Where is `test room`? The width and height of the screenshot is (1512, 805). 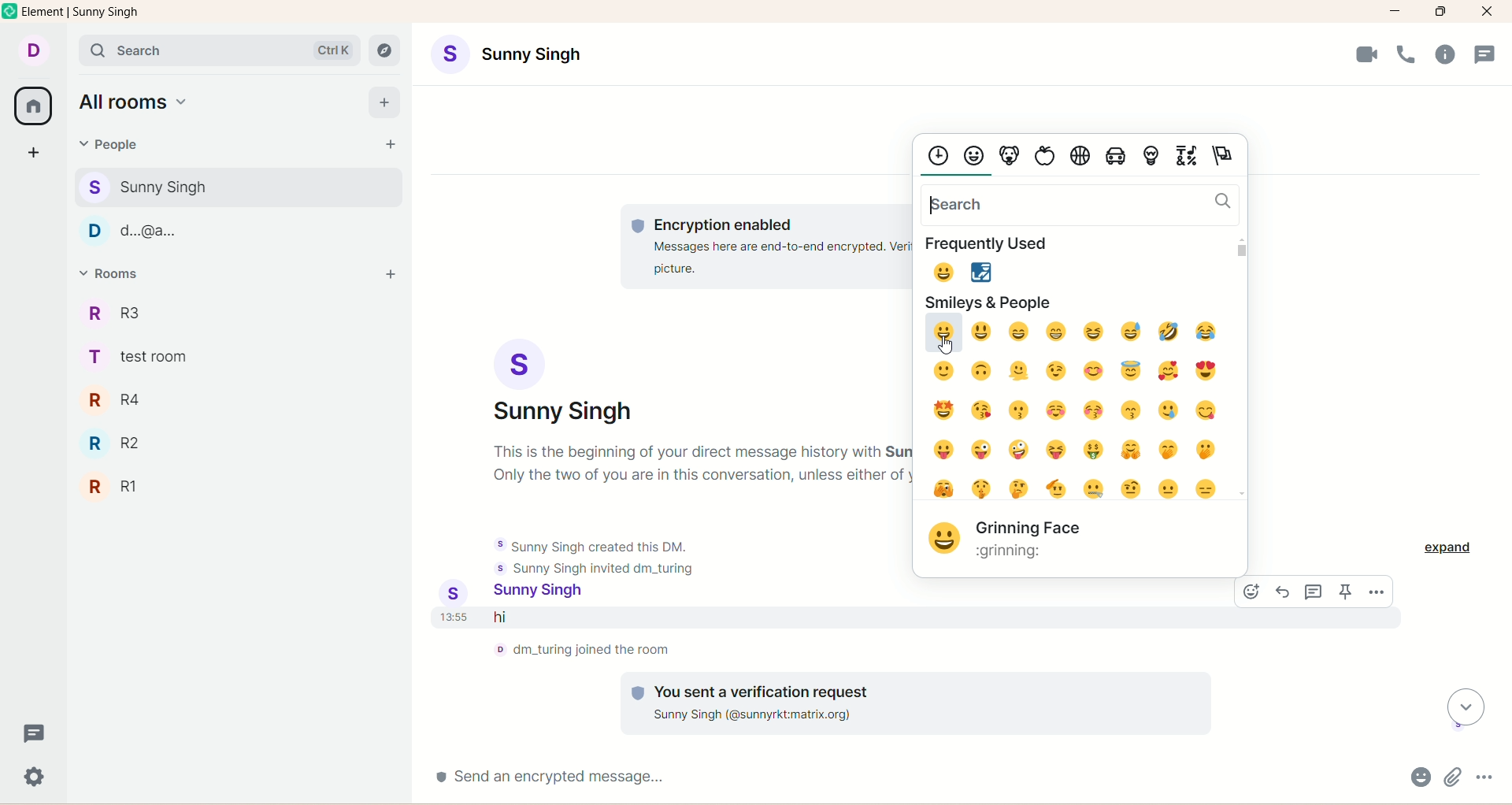
test room is located at coordinates (145, 357).